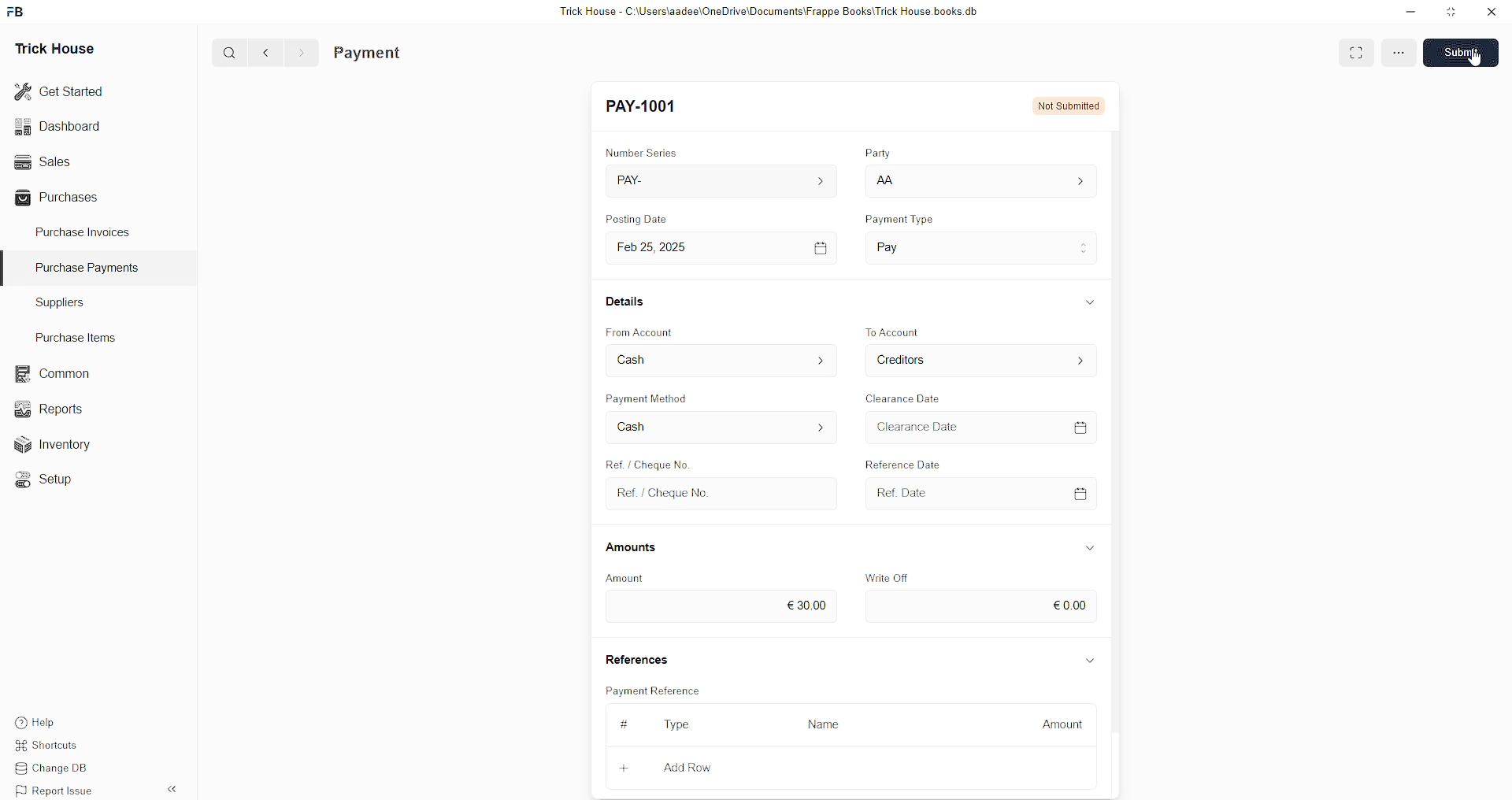 The height and width of the screenshot is (800, 1512). Describe the element at coordinates (642, 222) in the screenshot. I see `Posting Date` at that location.